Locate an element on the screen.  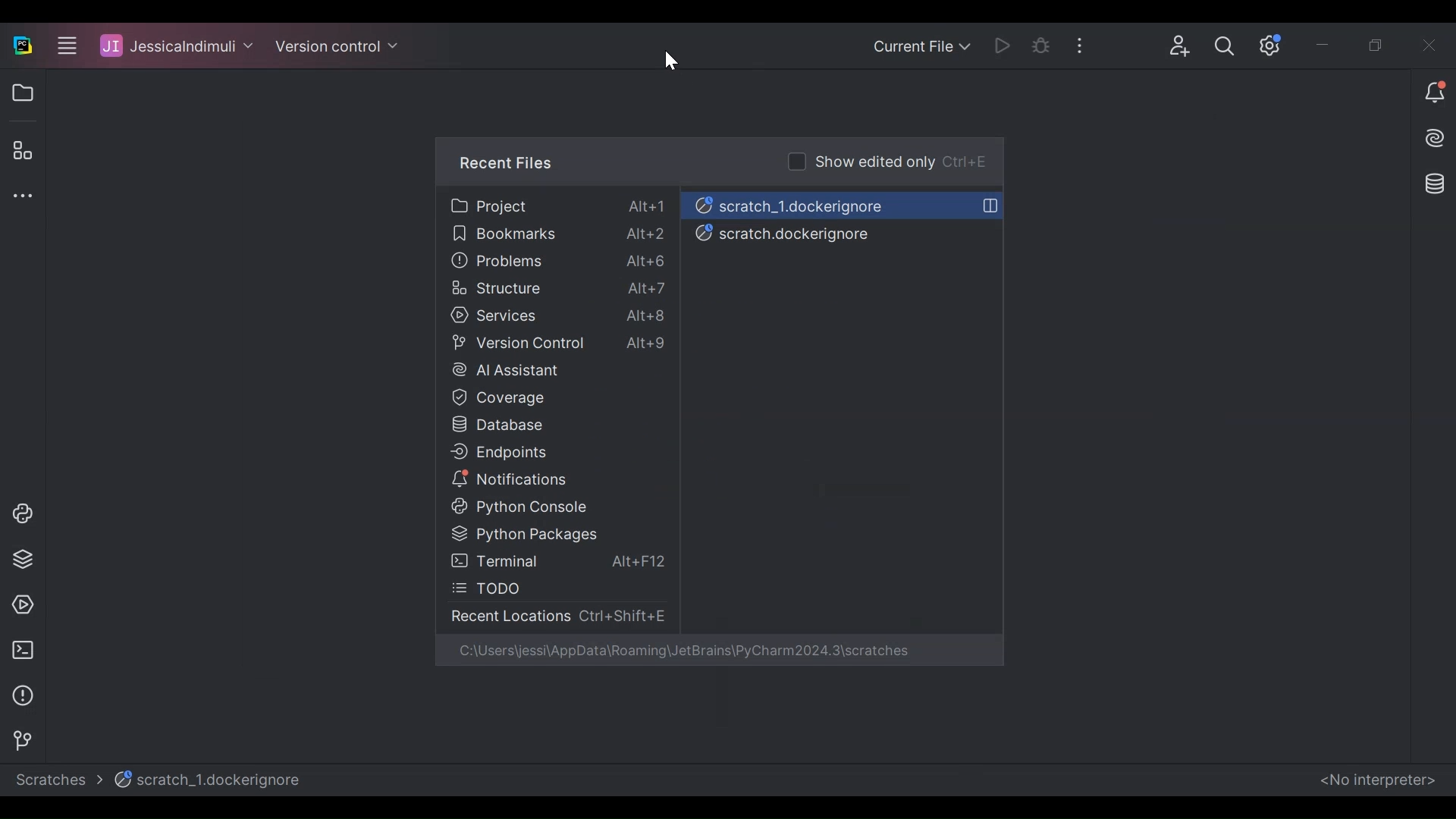
Endpoints is located at coordinates (550, 453).